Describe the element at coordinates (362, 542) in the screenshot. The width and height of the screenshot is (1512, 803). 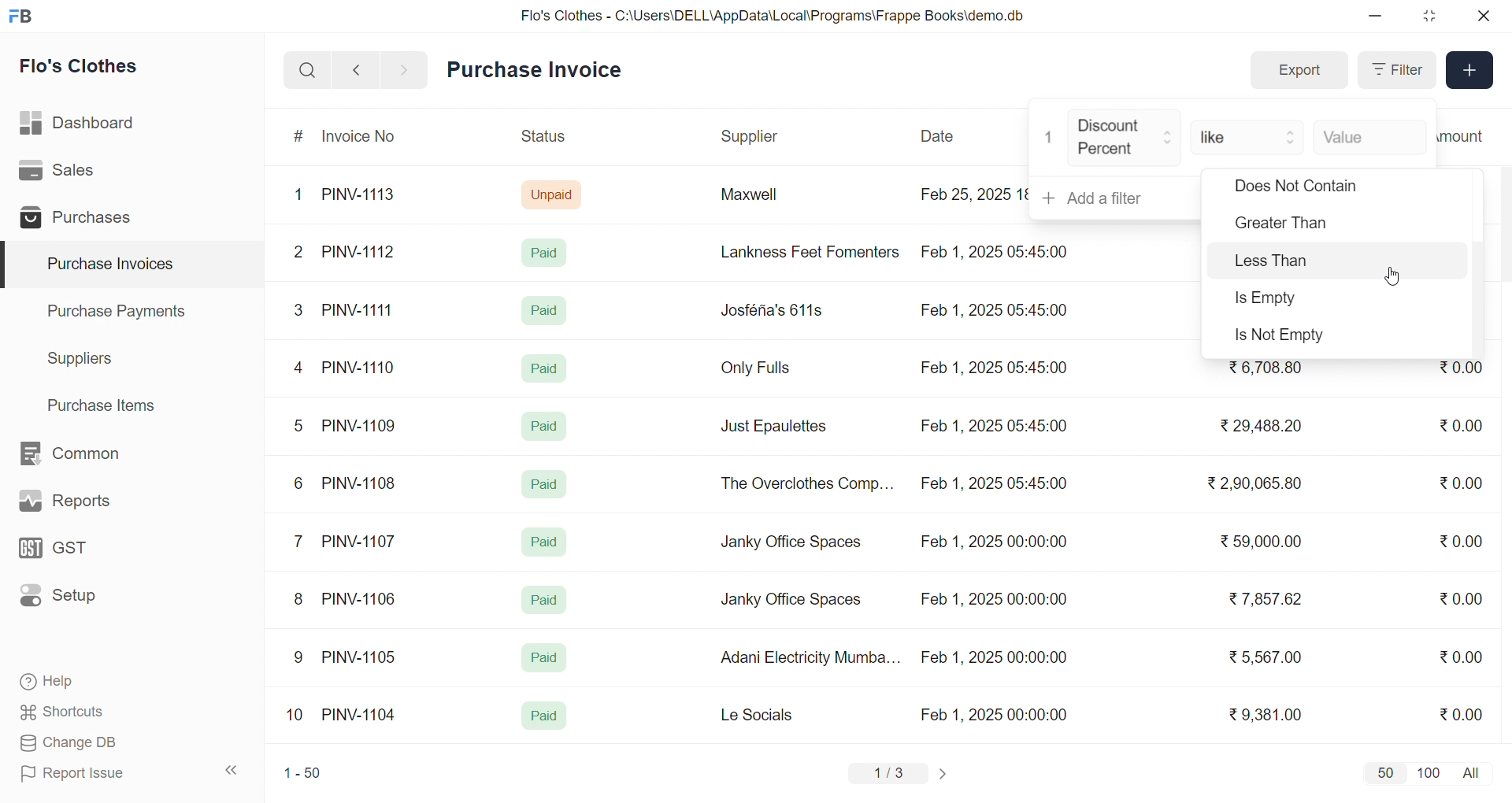
I see `PINV-1107` at that location.